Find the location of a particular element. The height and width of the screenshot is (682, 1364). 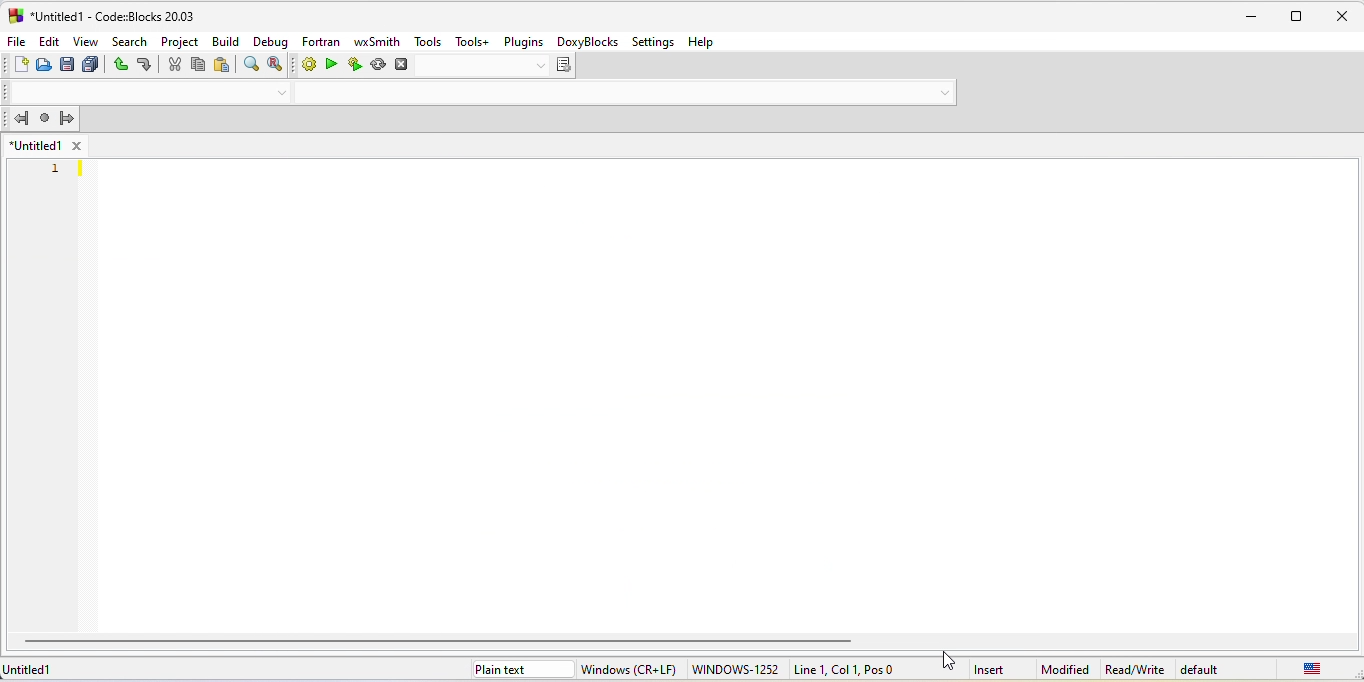

settings is located at coordinates (653, 41).